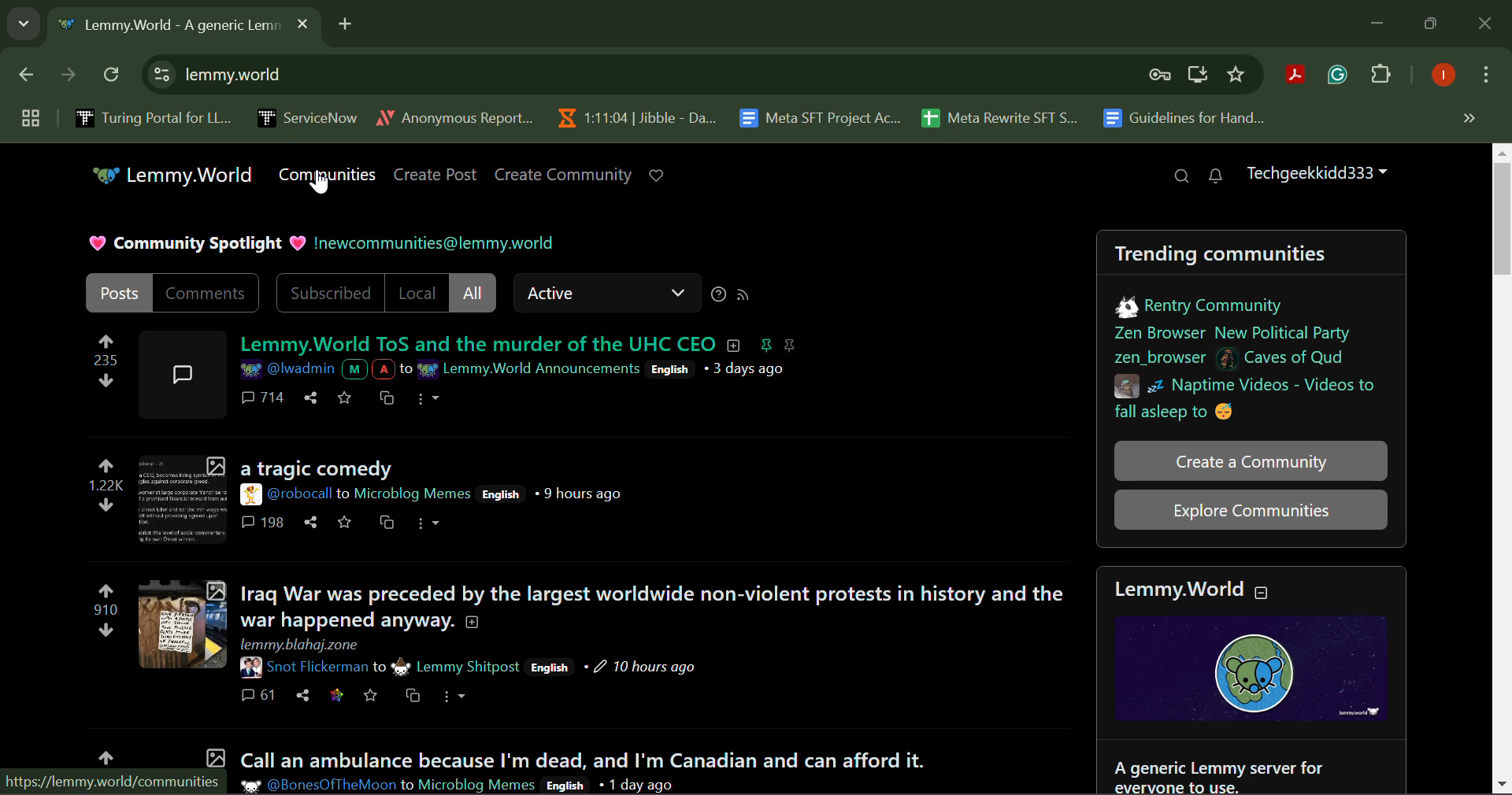 The image size is (1512, 795). What do you see at coordinates (1251, 326) in the screenshot?
I see `Trending Communities` at bounding box center [1251, 326].